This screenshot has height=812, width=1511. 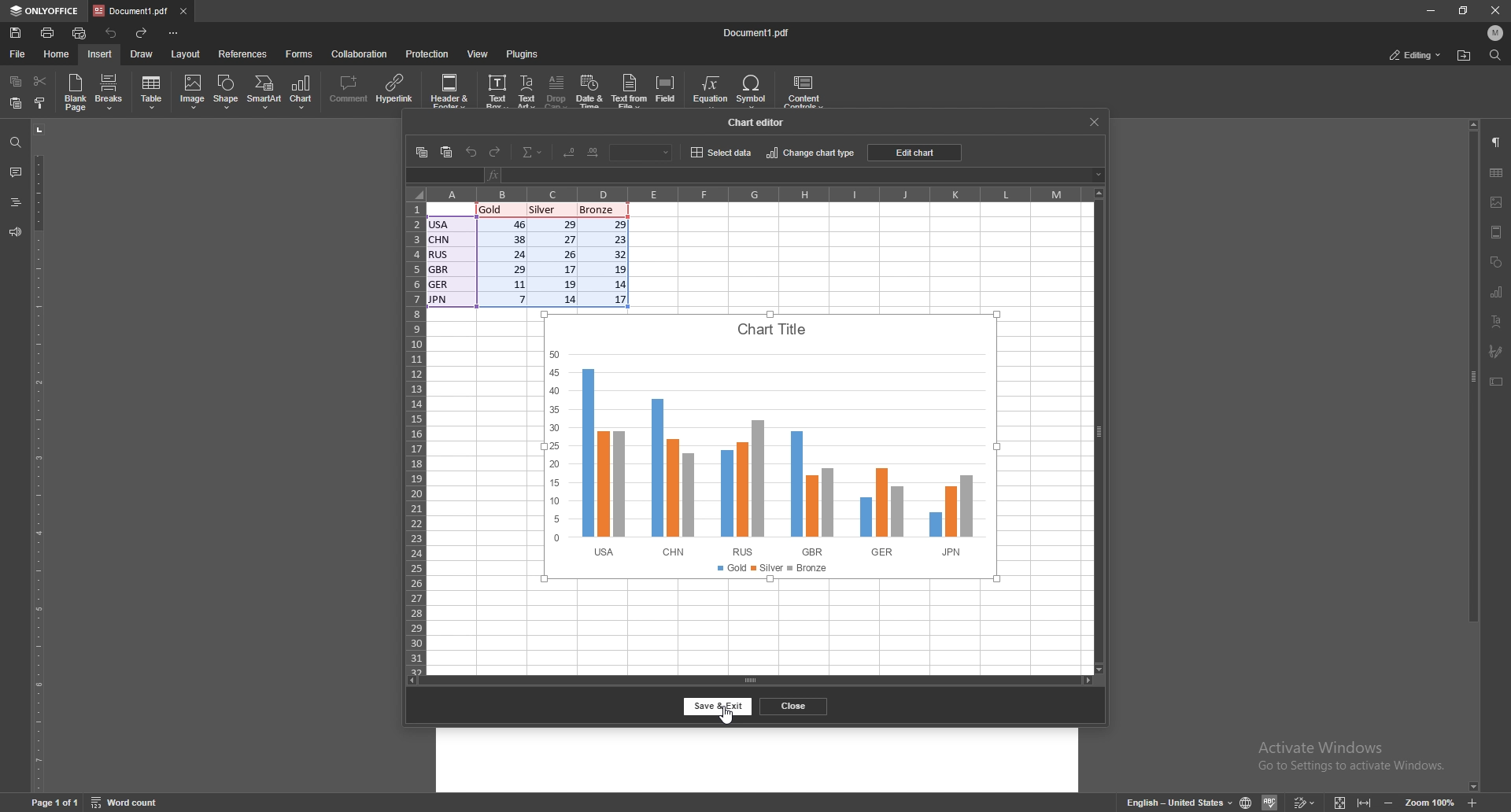 I want to click on 32, so click(x=615, y=254).